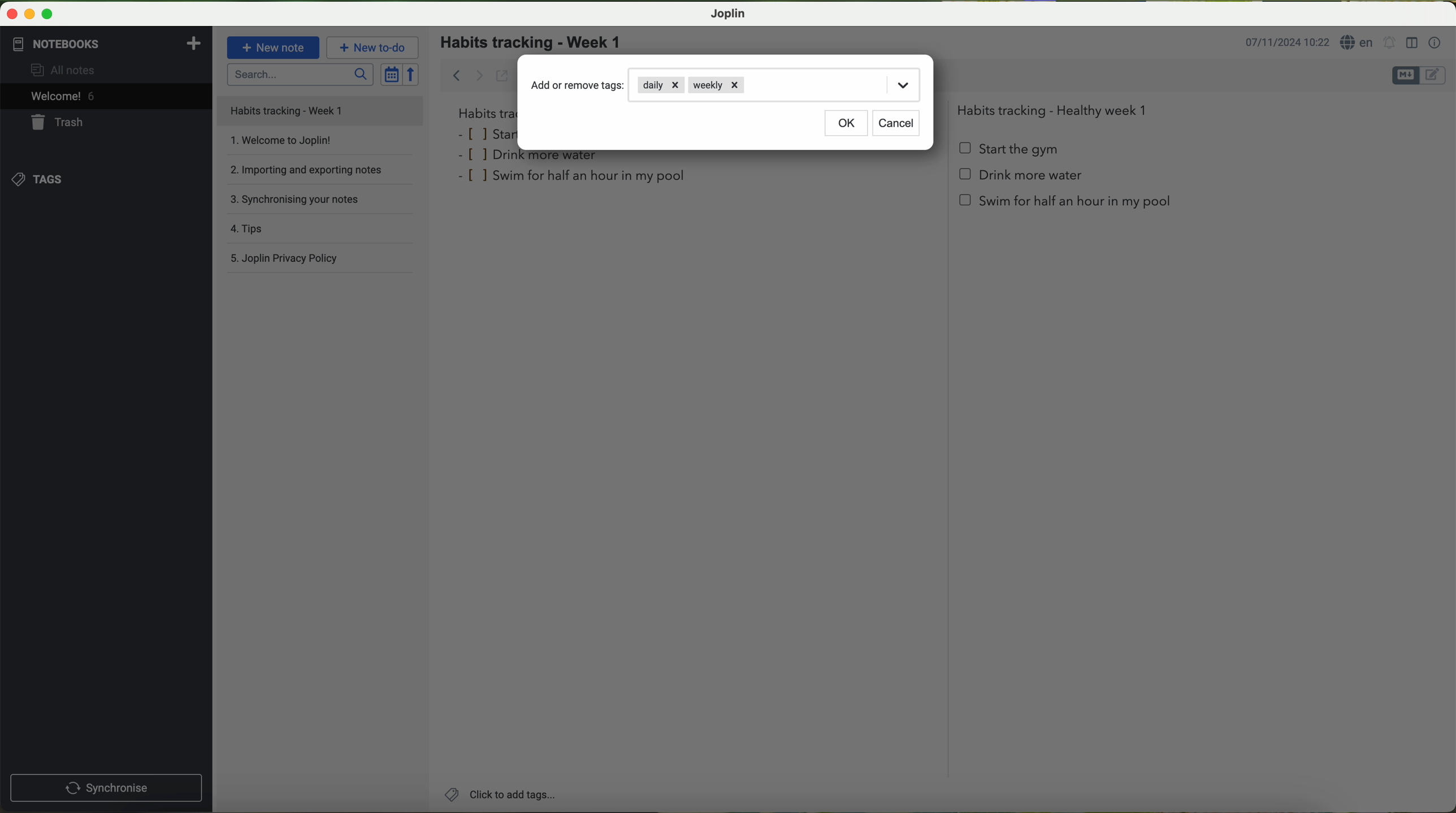 This screenshot has height=813, width=1456. Describe the element at coordinates (498, 793) in the screenshot. I see `click on add tags` at that location.